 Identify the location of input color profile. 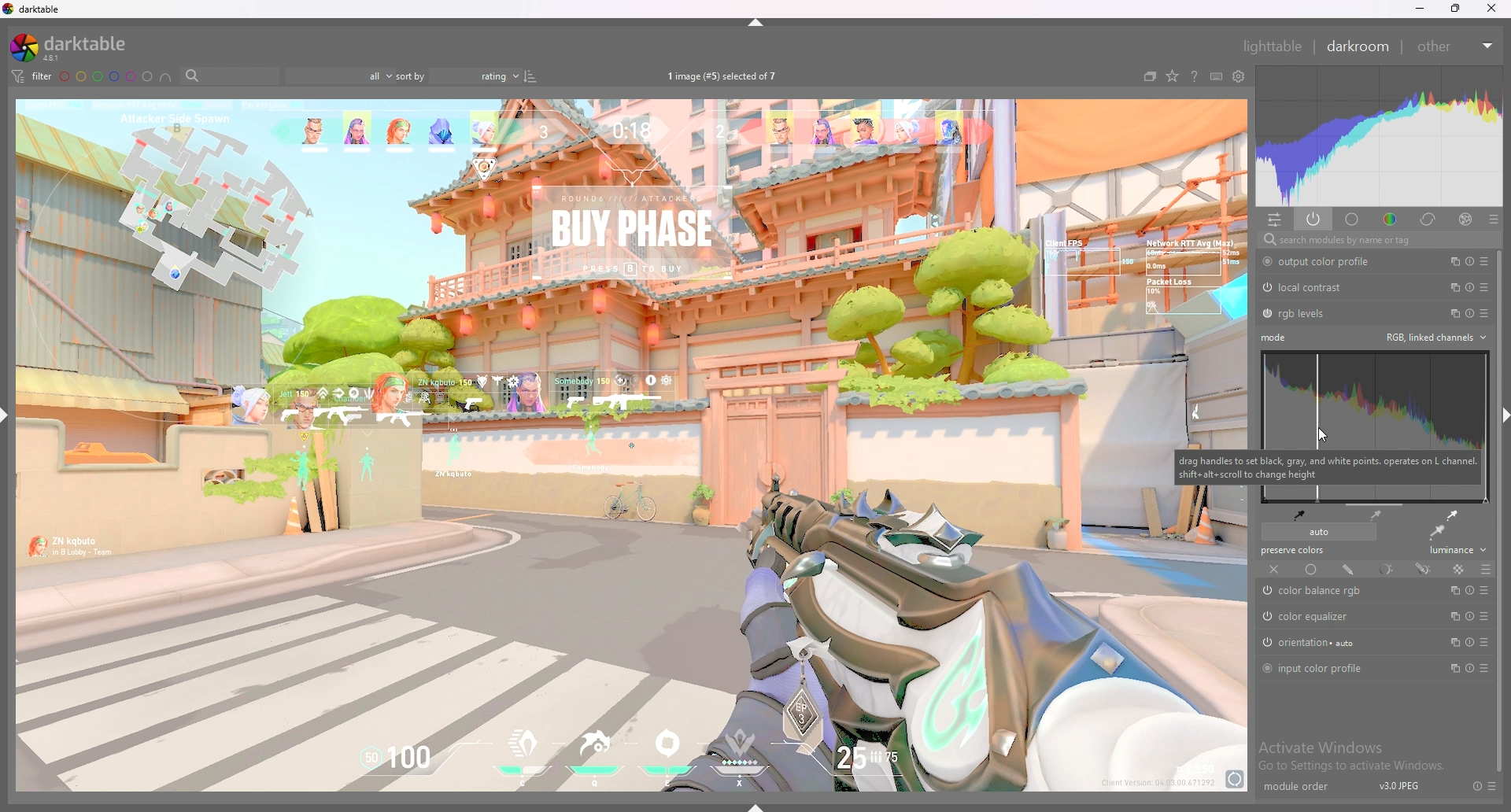
(1321, 668).